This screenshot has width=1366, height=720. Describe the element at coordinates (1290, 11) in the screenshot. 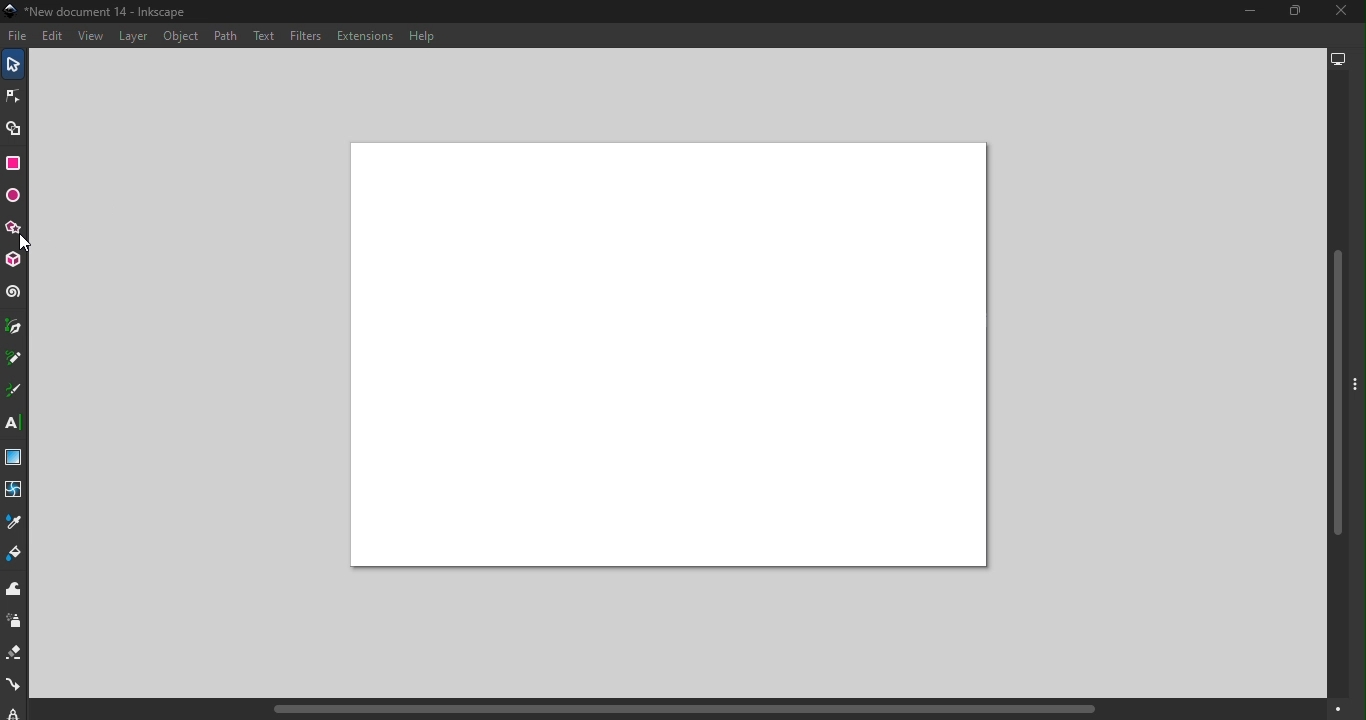

I see `Maximize tool` at that location.